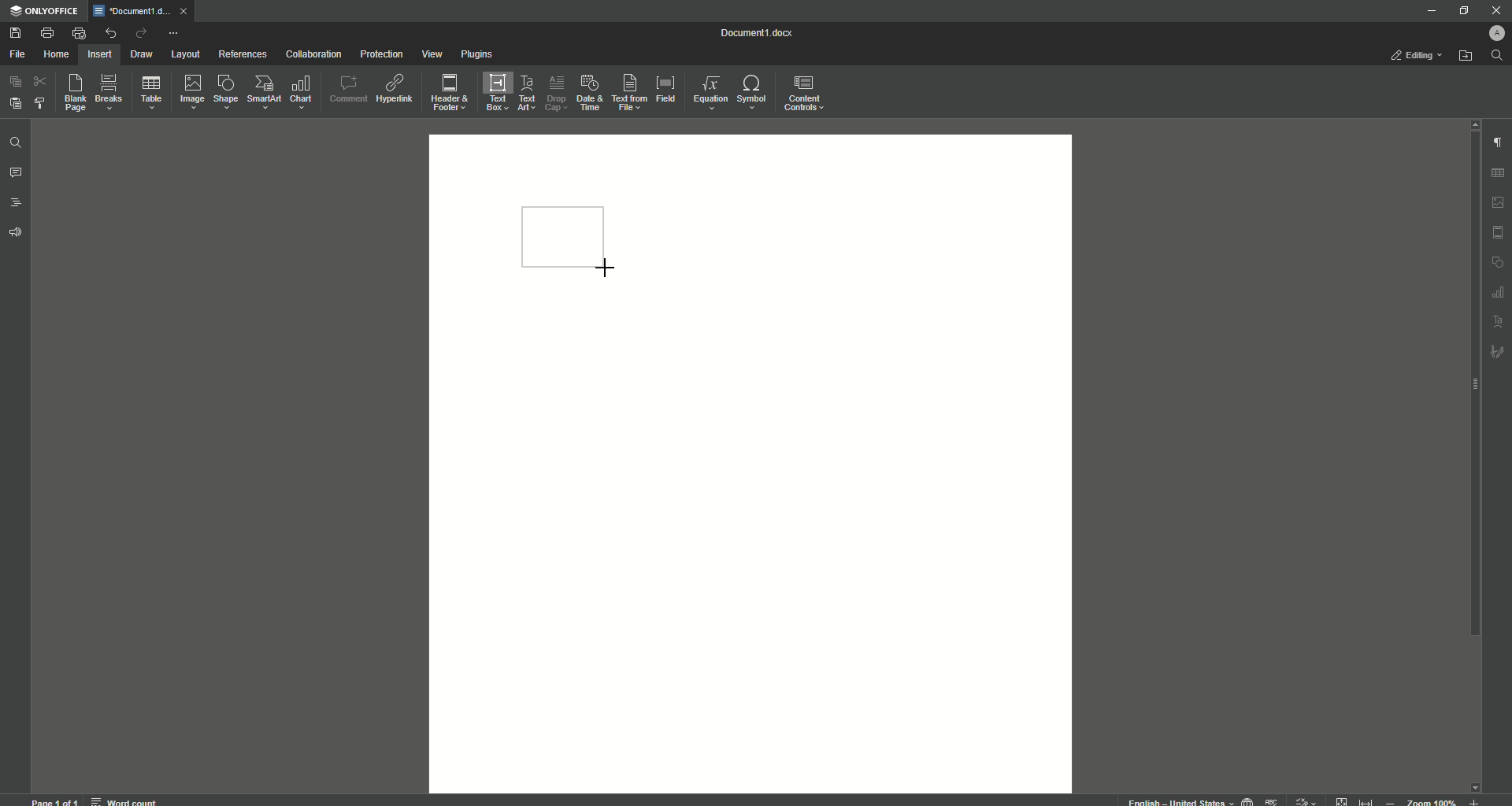  Describe the element at coordinates (381, 56) in the screenshot. I see `` at that location.